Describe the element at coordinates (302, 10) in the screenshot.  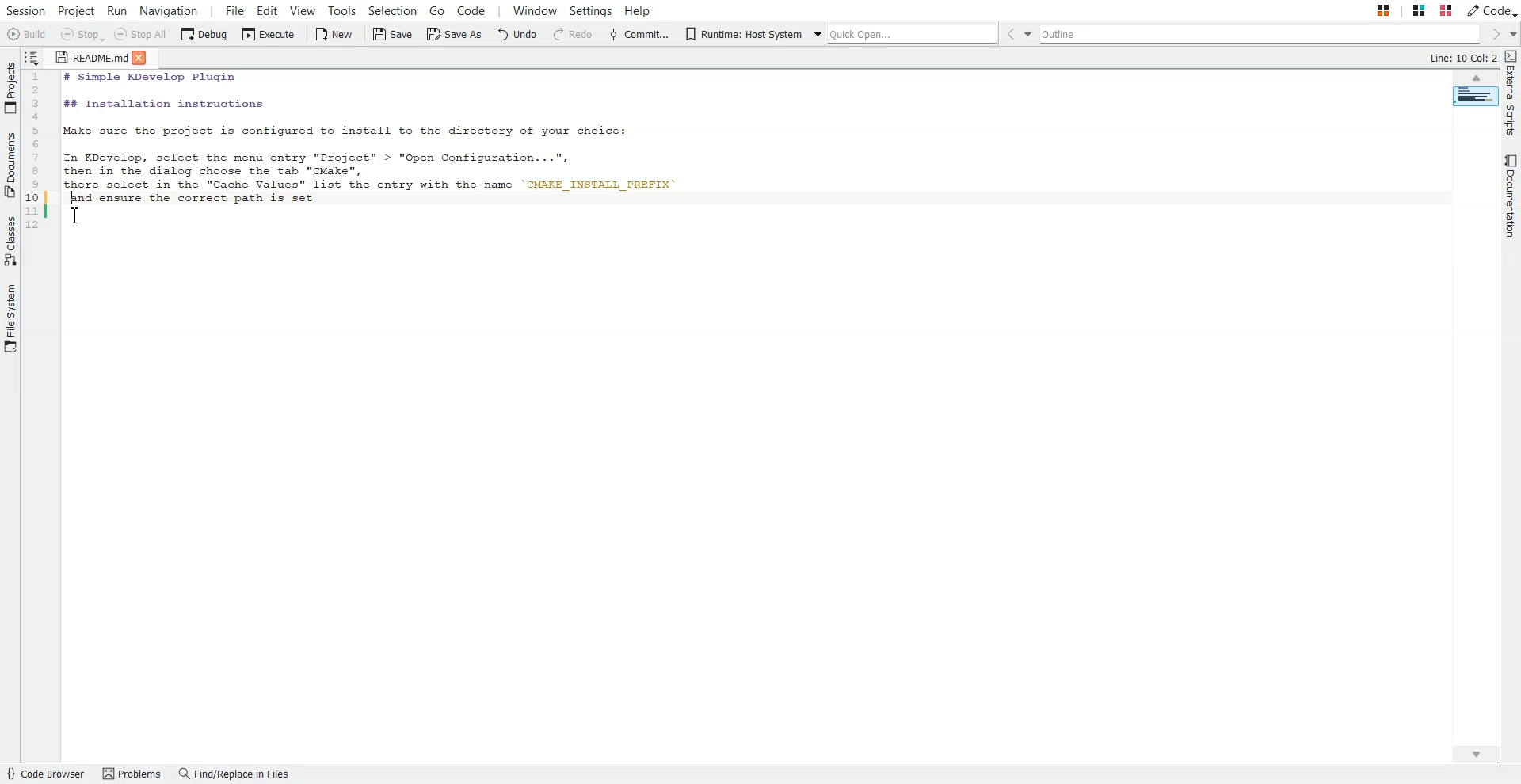
I see `View` at that location.